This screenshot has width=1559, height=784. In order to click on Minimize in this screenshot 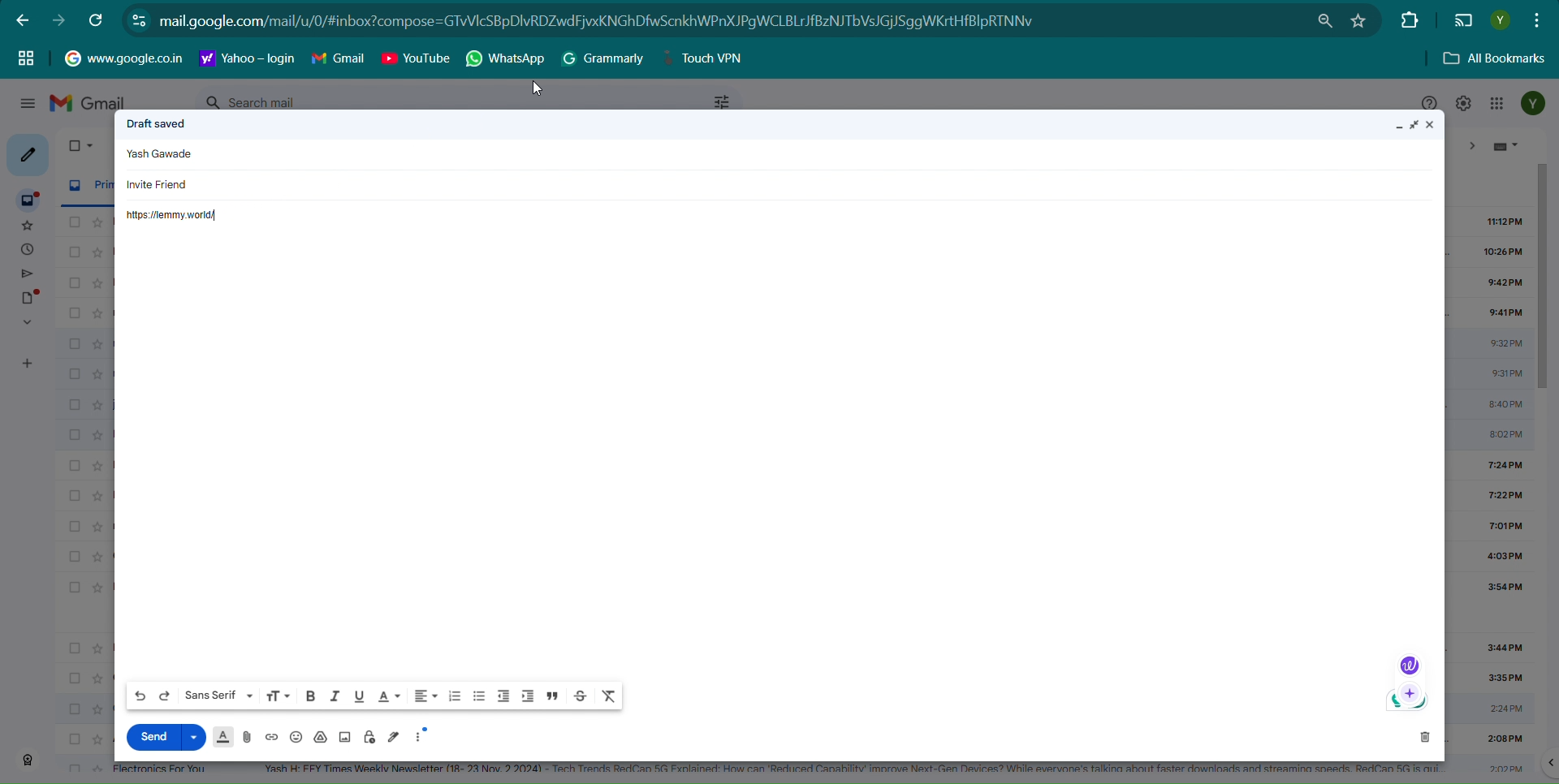, I will do `click(1397, 127)`.